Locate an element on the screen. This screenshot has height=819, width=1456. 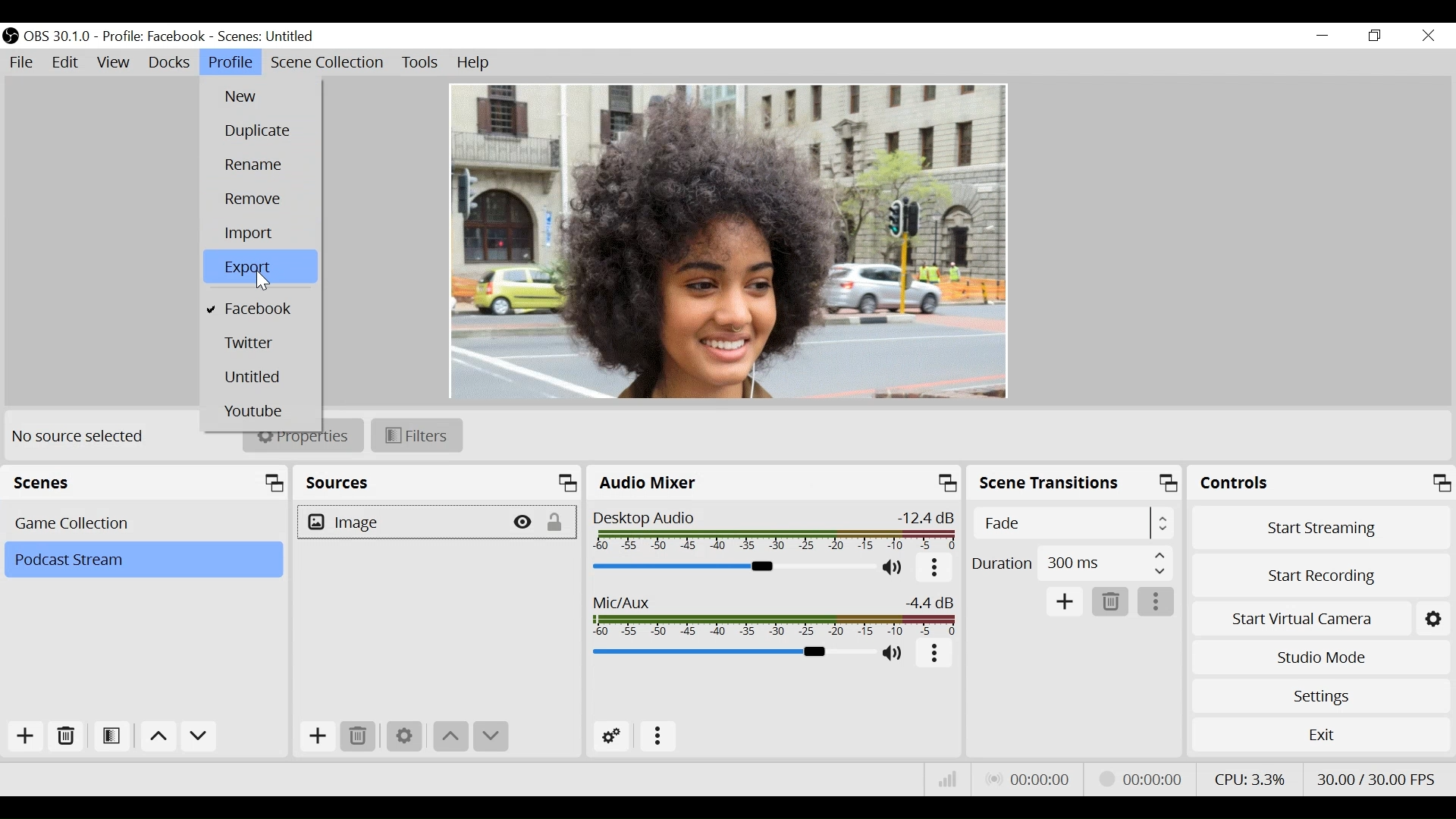
Filters is located at coordinates (417, 435).